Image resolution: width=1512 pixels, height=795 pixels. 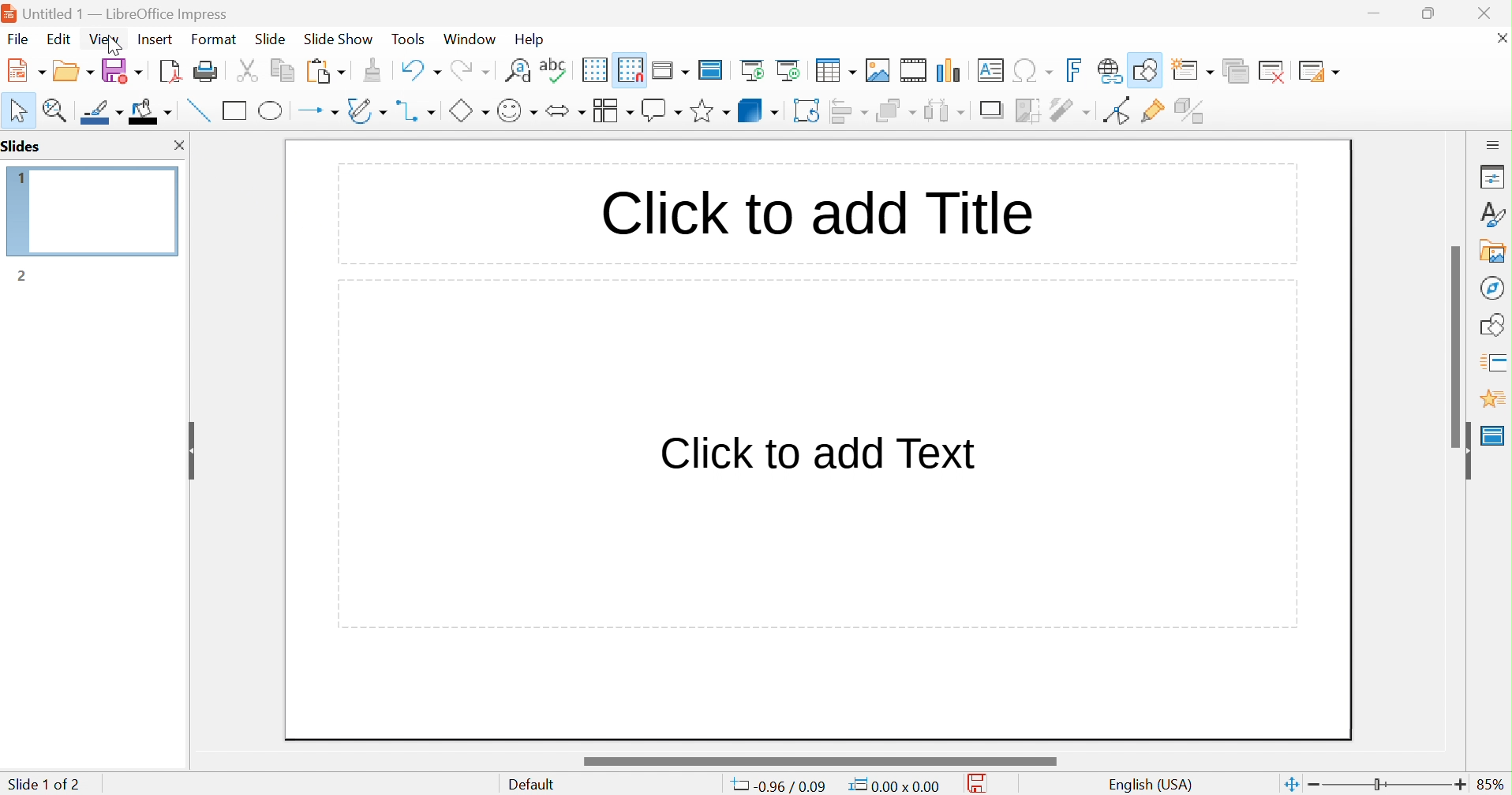 What do you see at coordinates (1491, 784) in the screenshot?
I see `85%` at bounding box center [1491, 784].